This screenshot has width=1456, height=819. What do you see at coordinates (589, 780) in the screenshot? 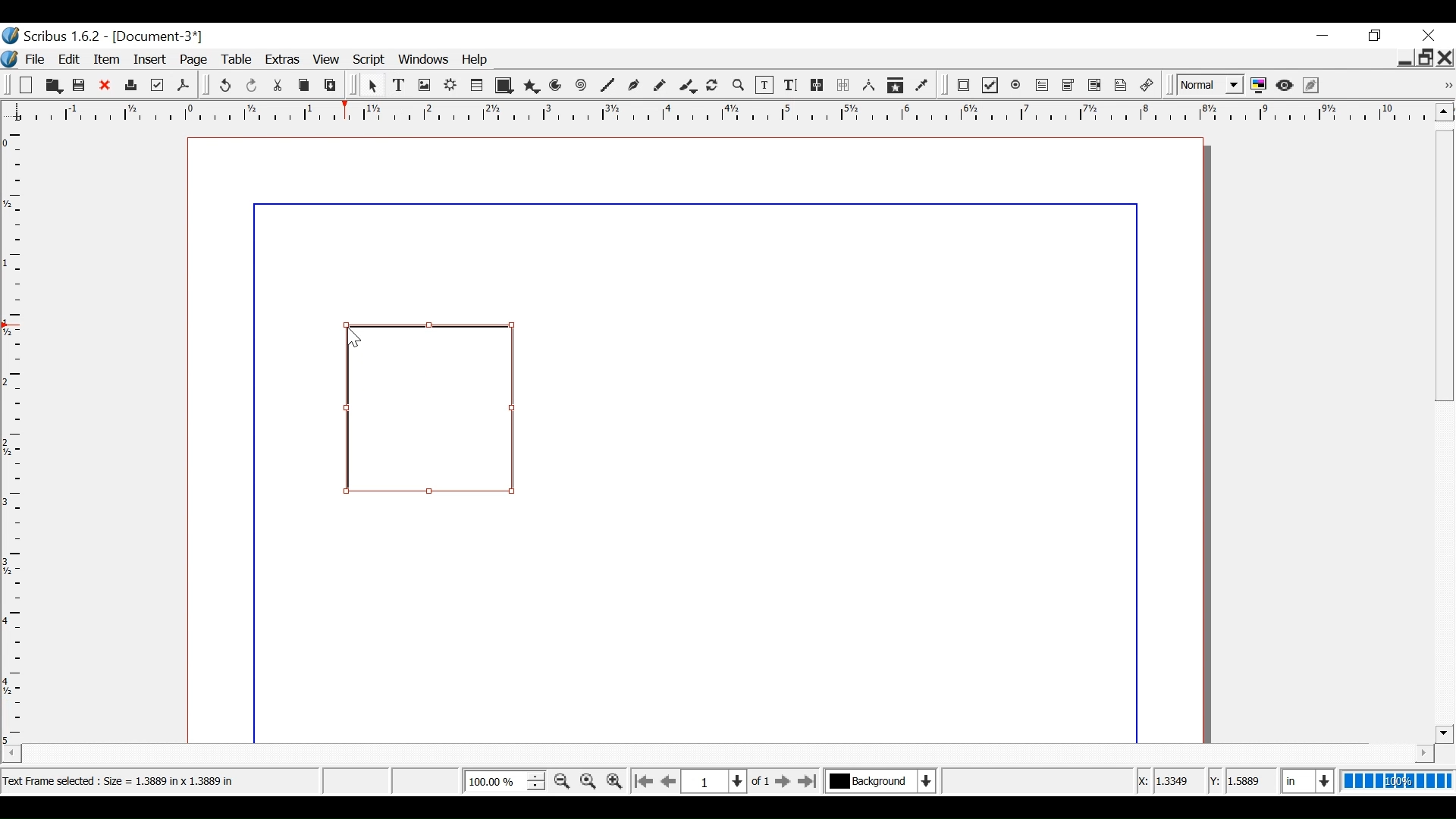
I see `Reset Zoom` at bounding box center [589, 780].